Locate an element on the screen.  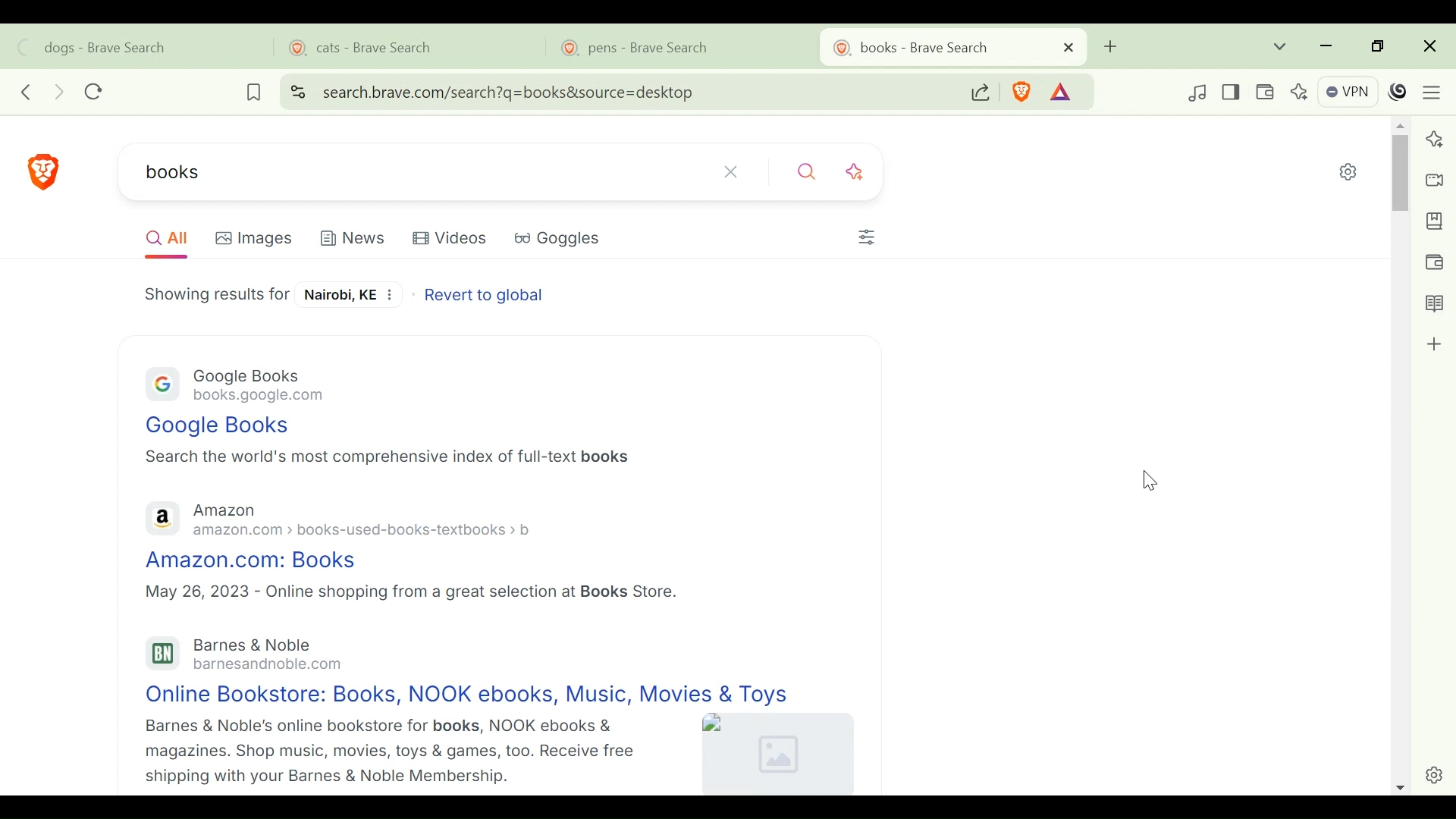
amazon.com > books-used-books-textbooks > b is located at coordinates (364, 531).